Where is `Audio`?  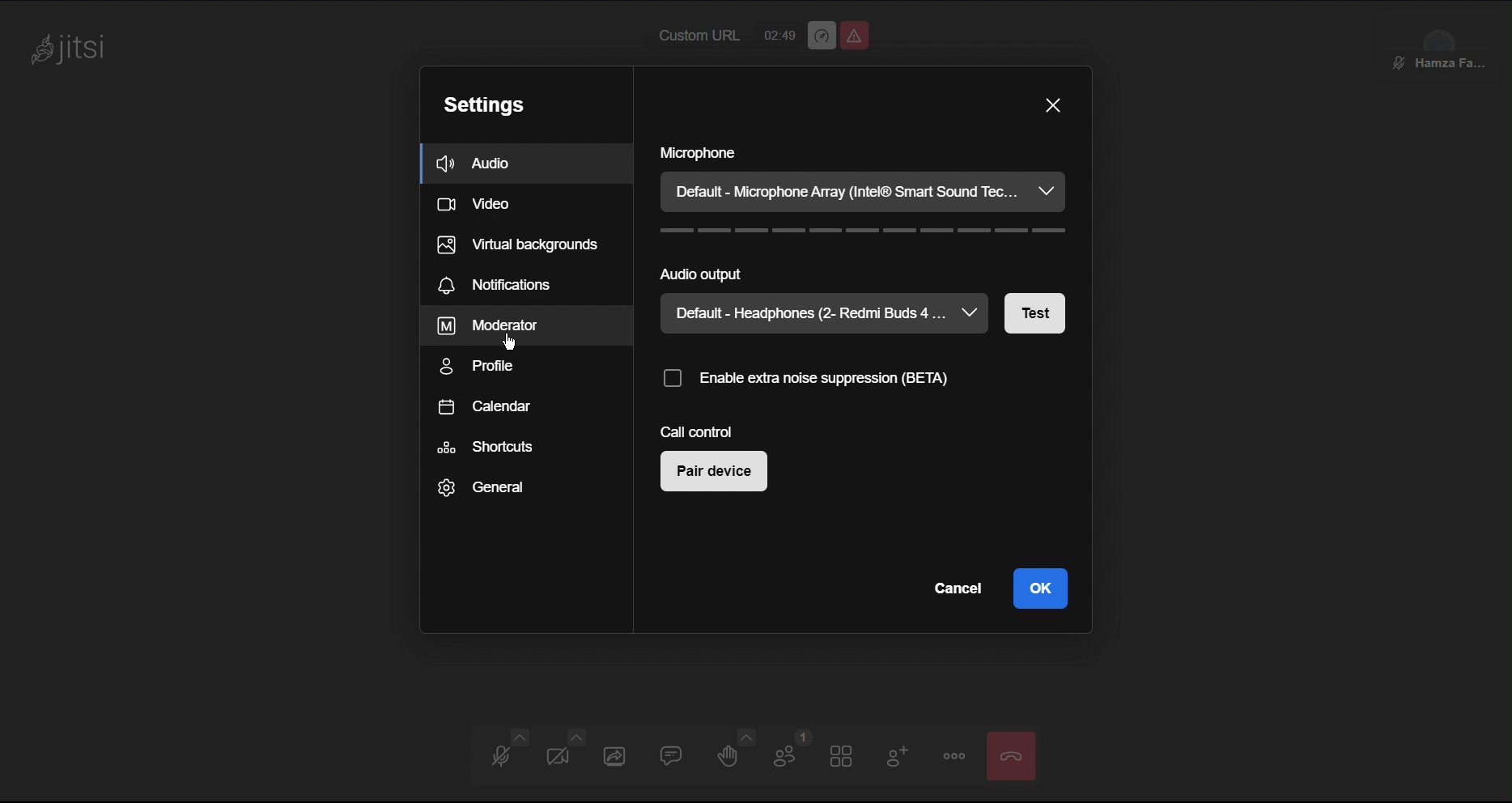
Audio is located at coordinates (499, 756).